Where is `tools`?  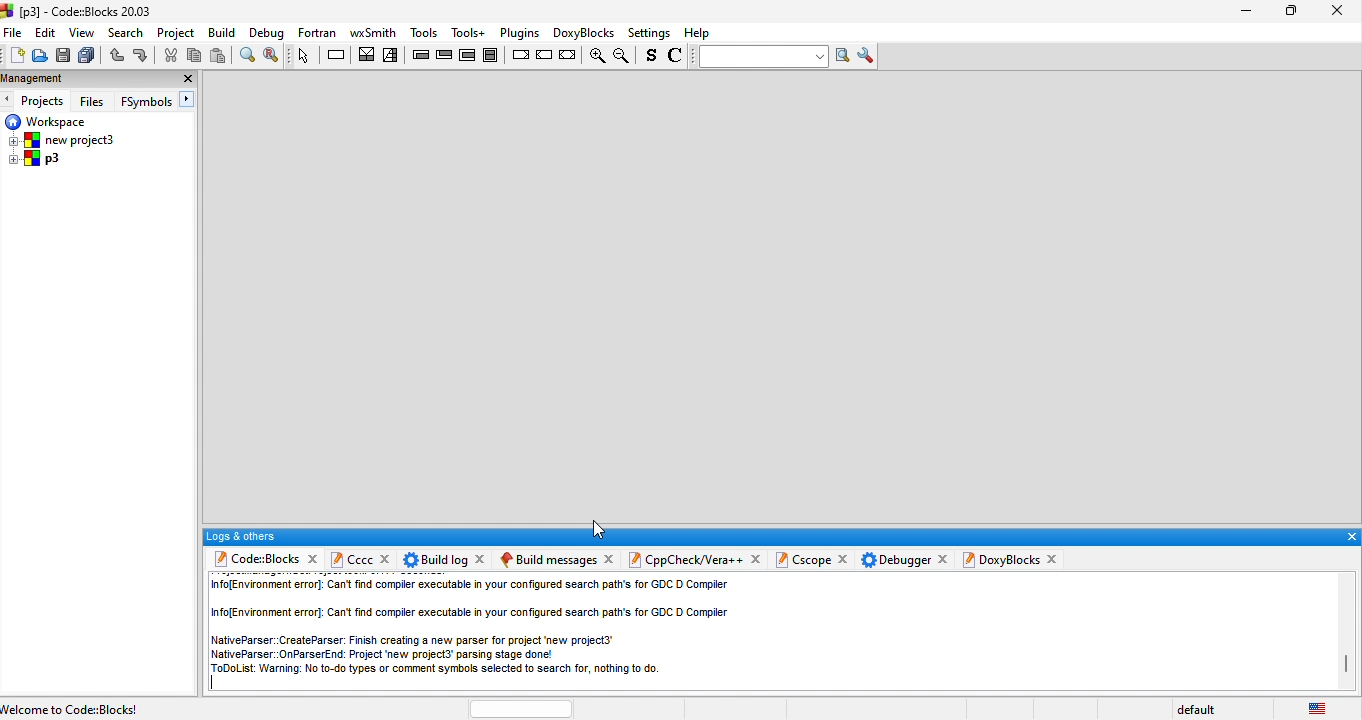 tools is located at coordinates (423, 30).